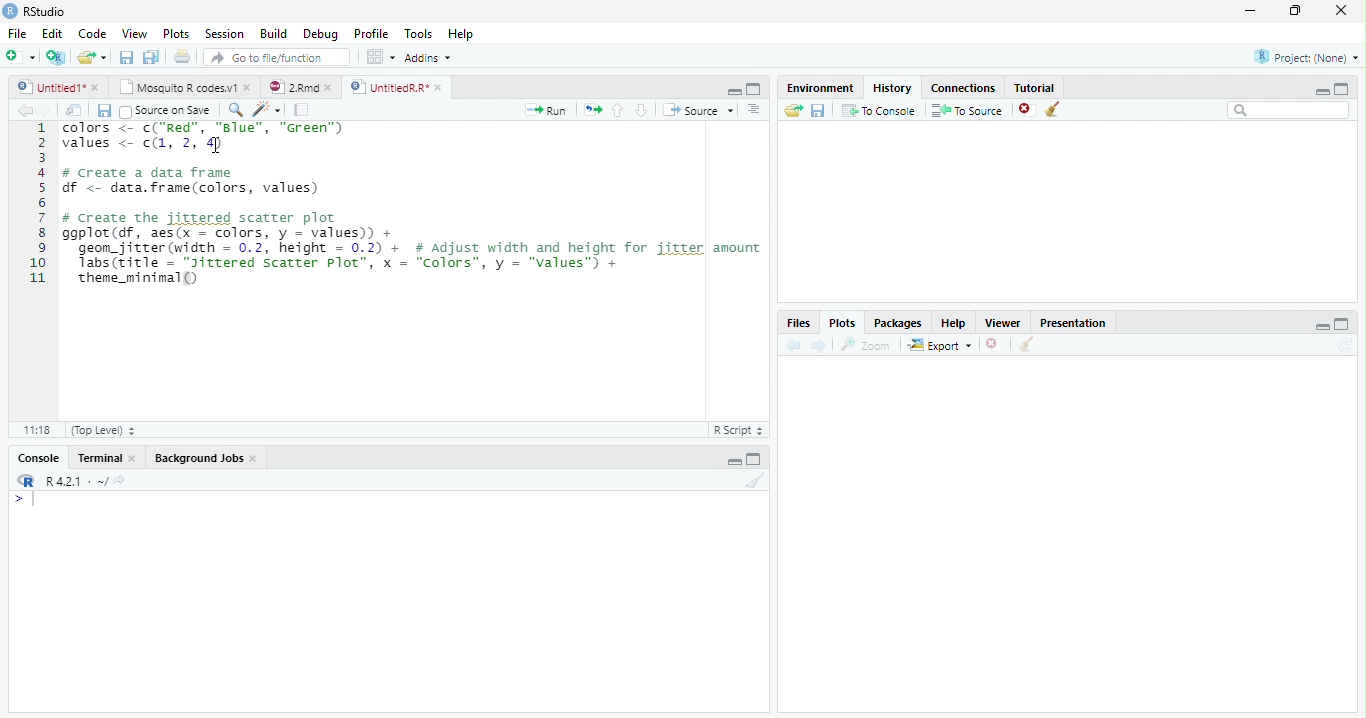 The image size is (1366, 718). I want to click on close, so click(438, 88).